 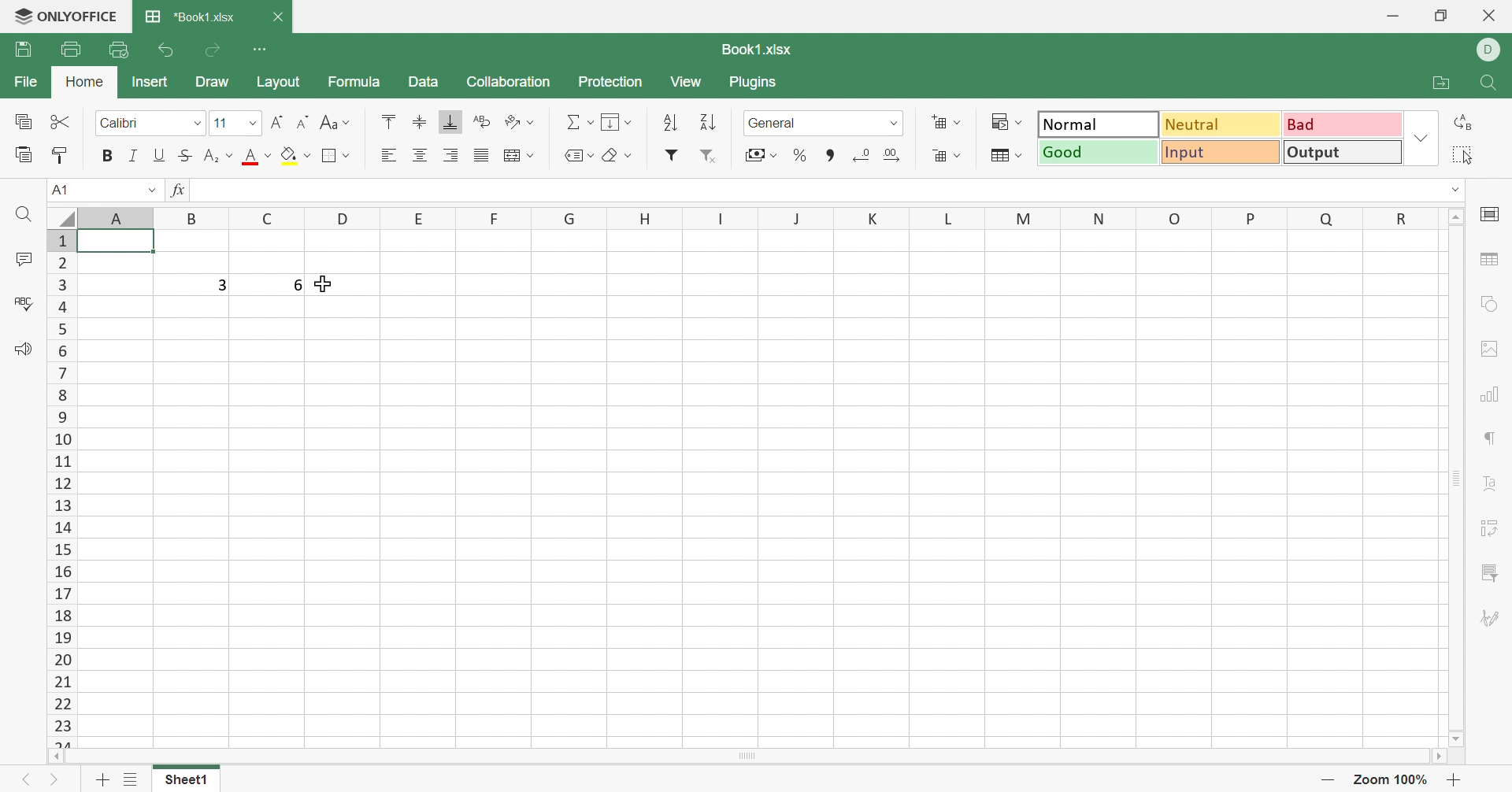 I want to click on Sort ascending, so click(x=672, y=124).